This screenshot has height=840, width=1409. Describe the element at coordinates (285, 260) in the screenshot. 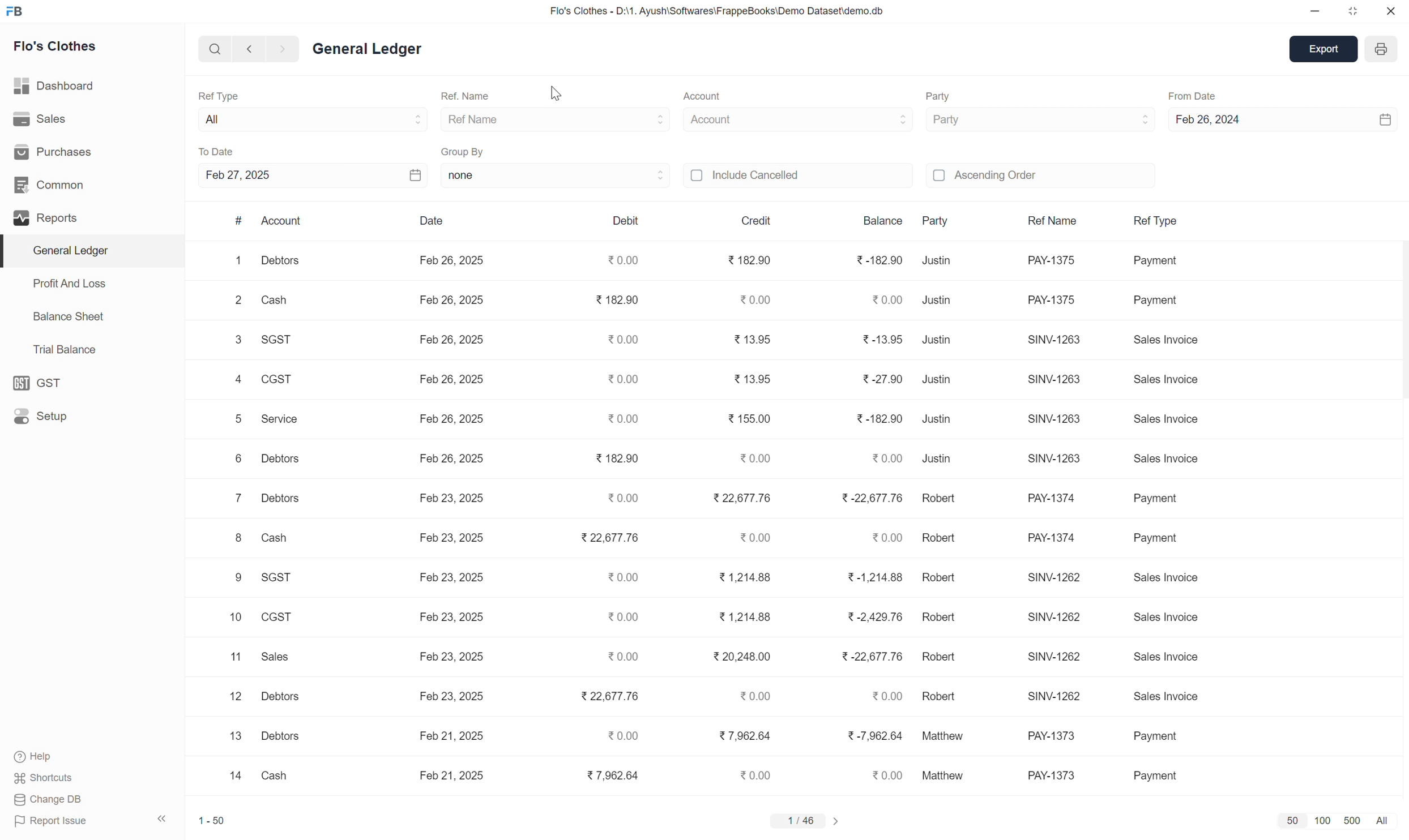

I see `debtors` at that location.